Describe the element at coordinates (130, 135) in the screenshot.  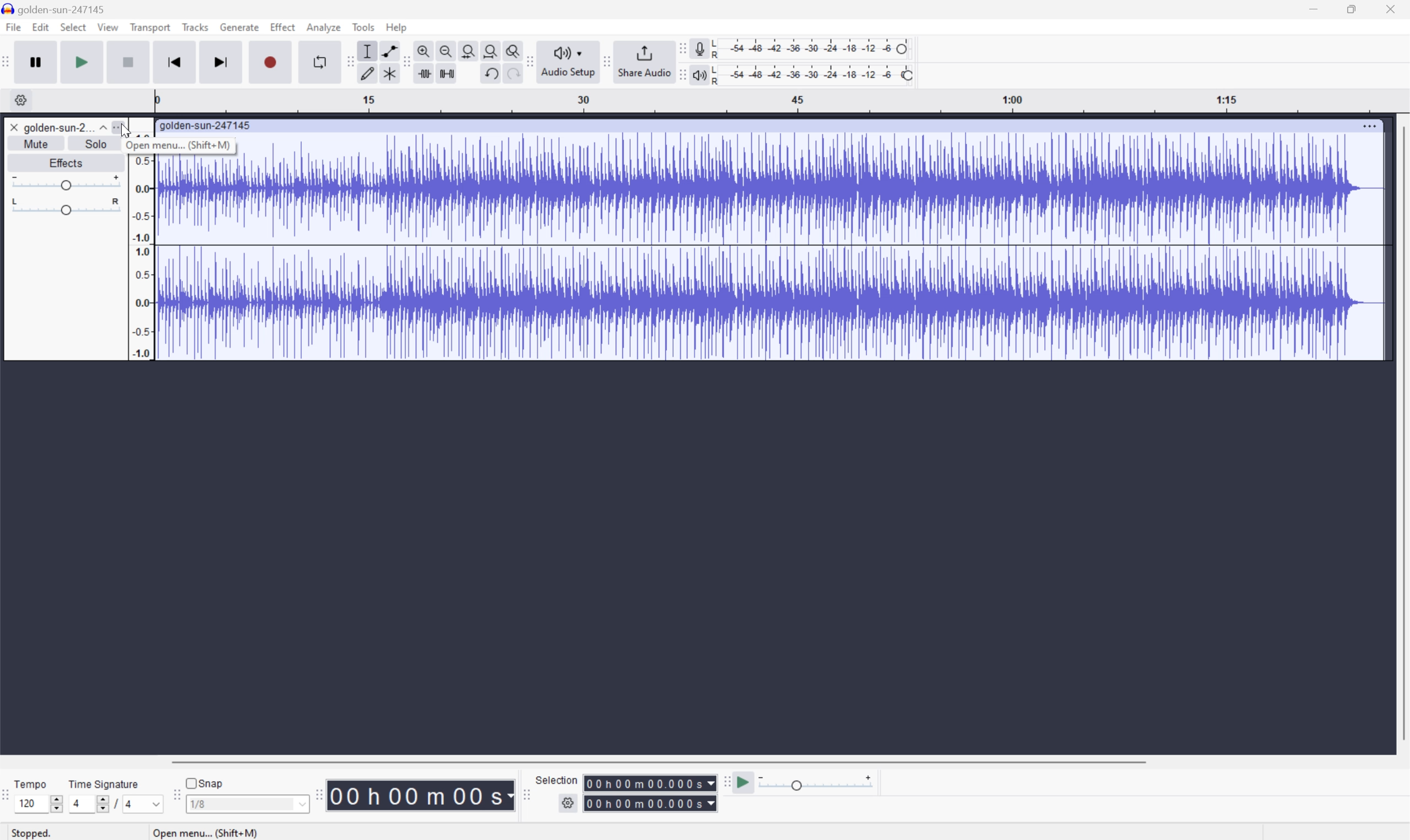
I see `cursor` at that location.